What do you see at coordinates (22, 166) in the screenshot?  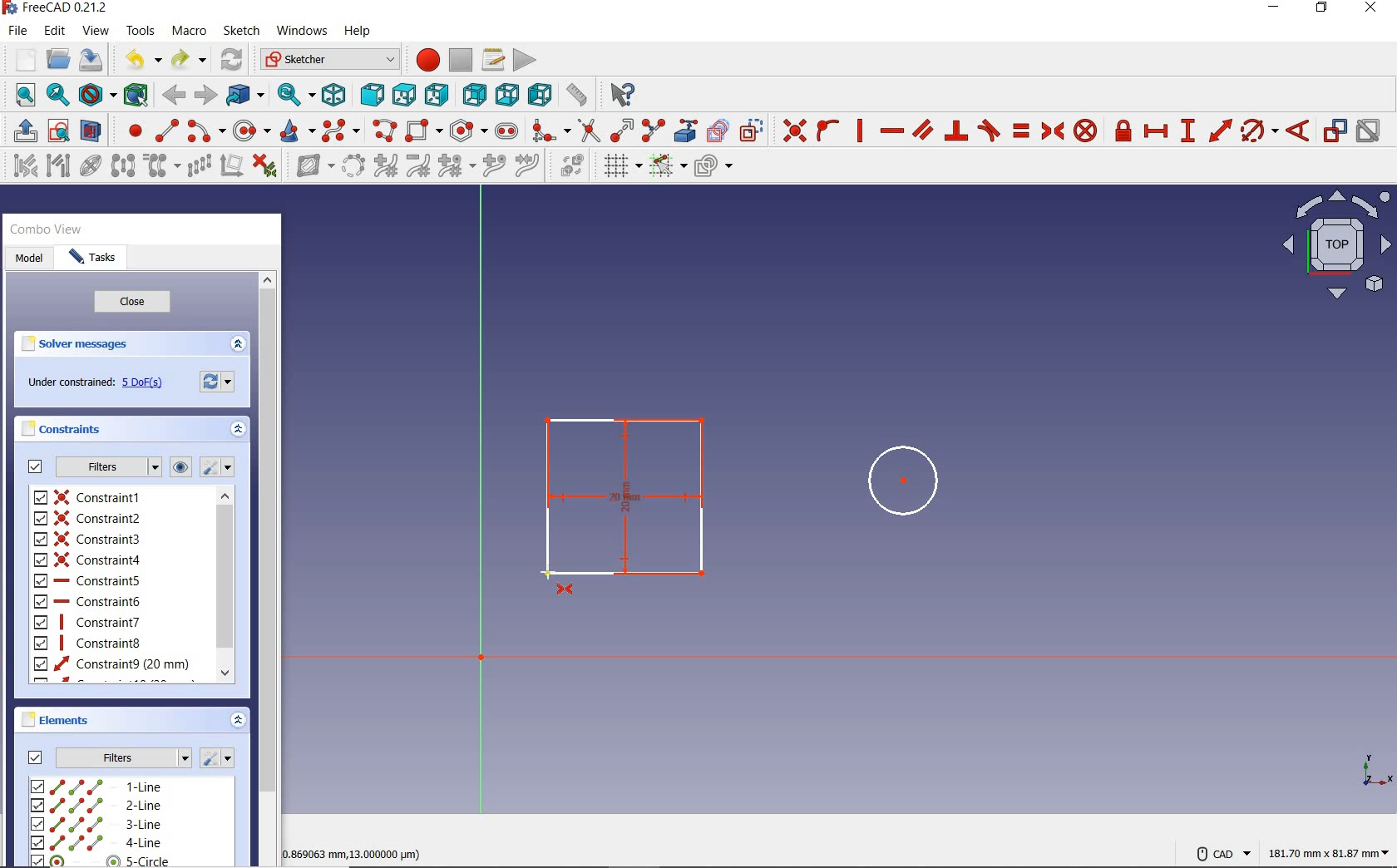 I see `select associated constraints` at bounding box center [22, 166].